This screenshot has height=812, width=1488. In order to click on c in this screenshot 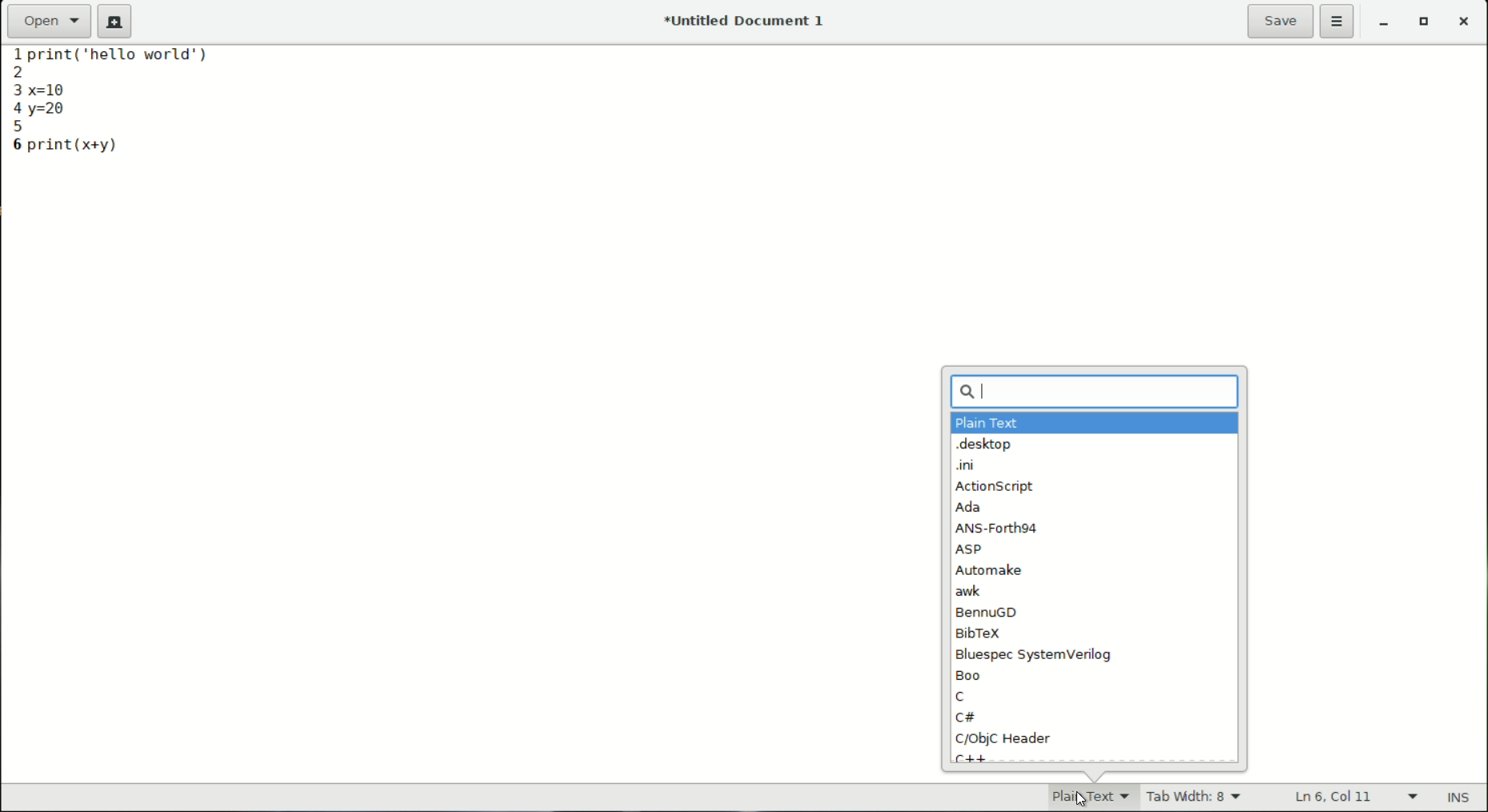, I will do `click(960, 697)`.